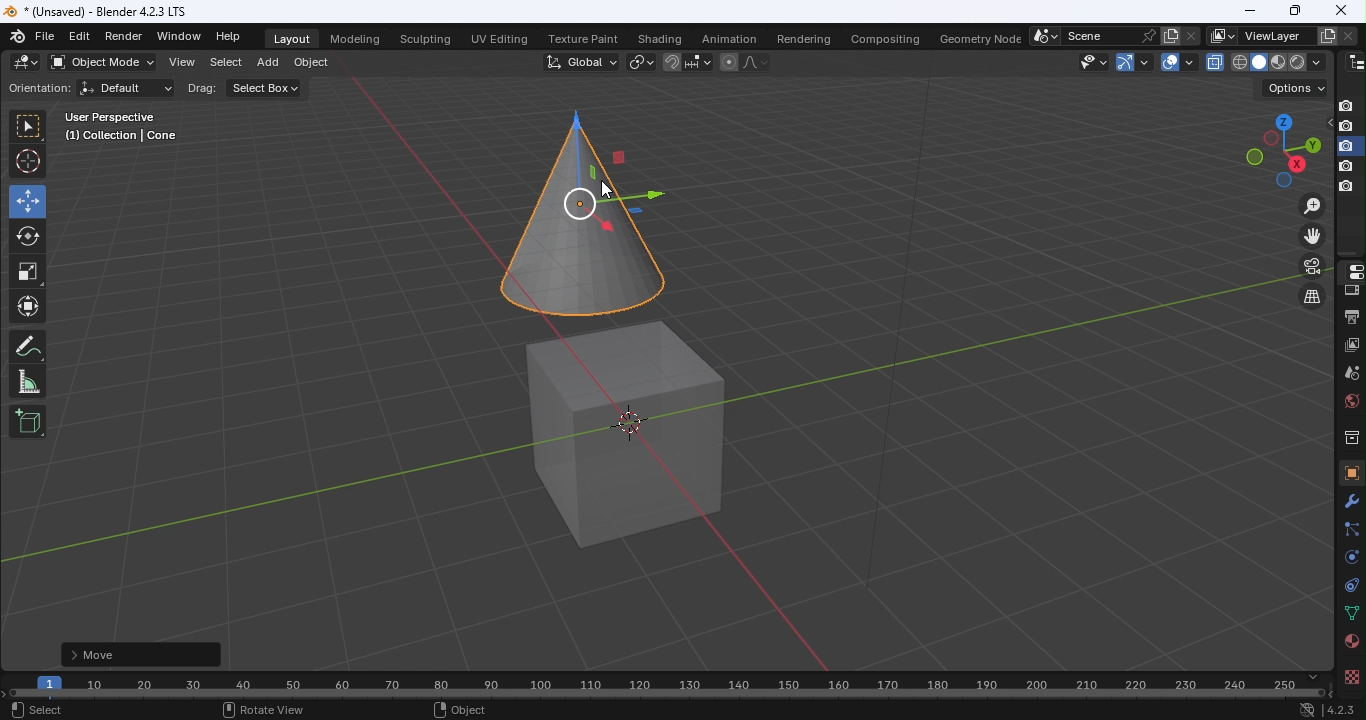 The width and height of the screenshot is (1366, 720). Describe the element at coordinates (1257, 62) in the screenshot. I see `viewpoint shader: solid` at that location.